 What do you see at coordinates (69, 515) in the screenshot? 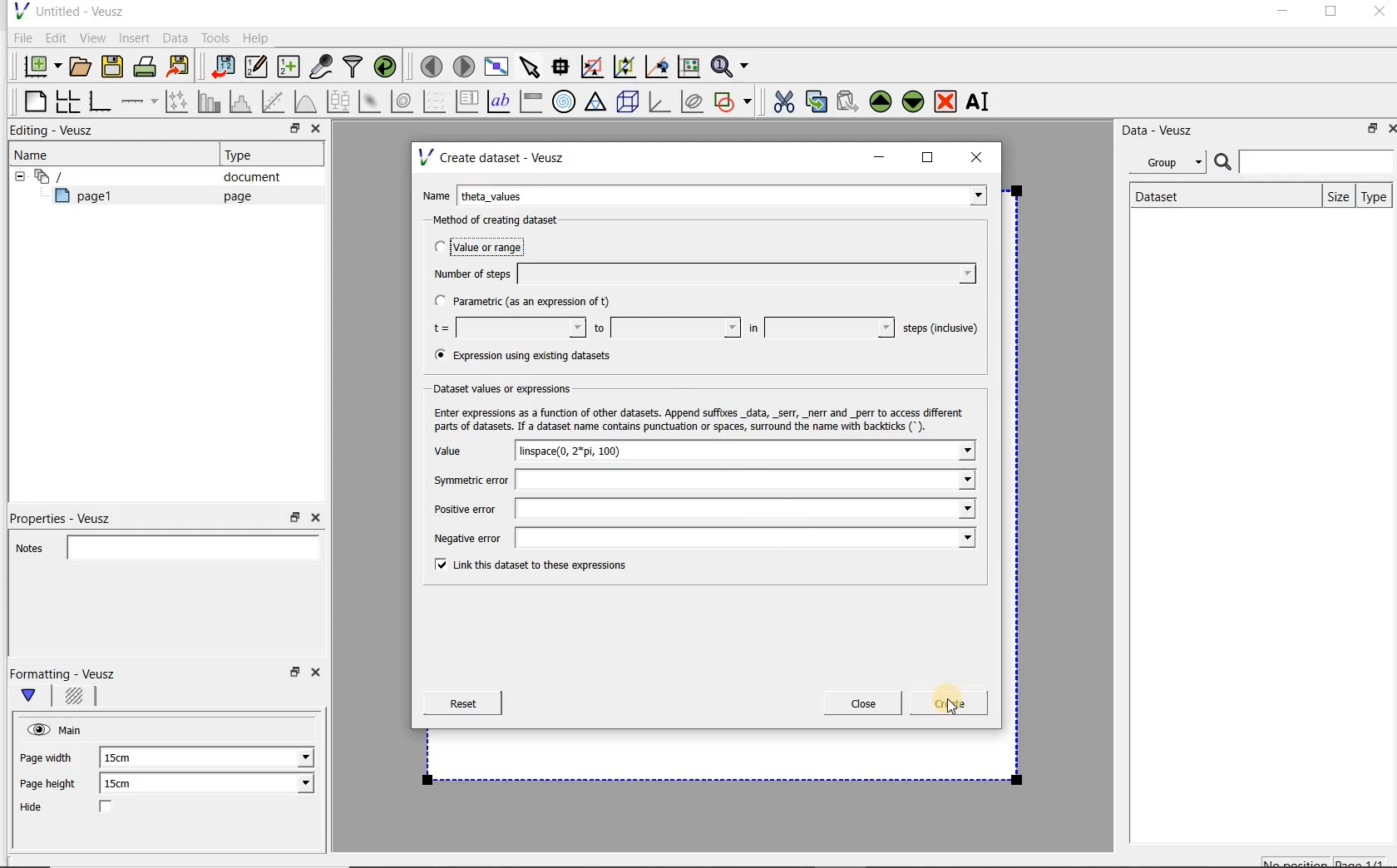
I see `Properties - Veusz` at bounding box center [69, 515].